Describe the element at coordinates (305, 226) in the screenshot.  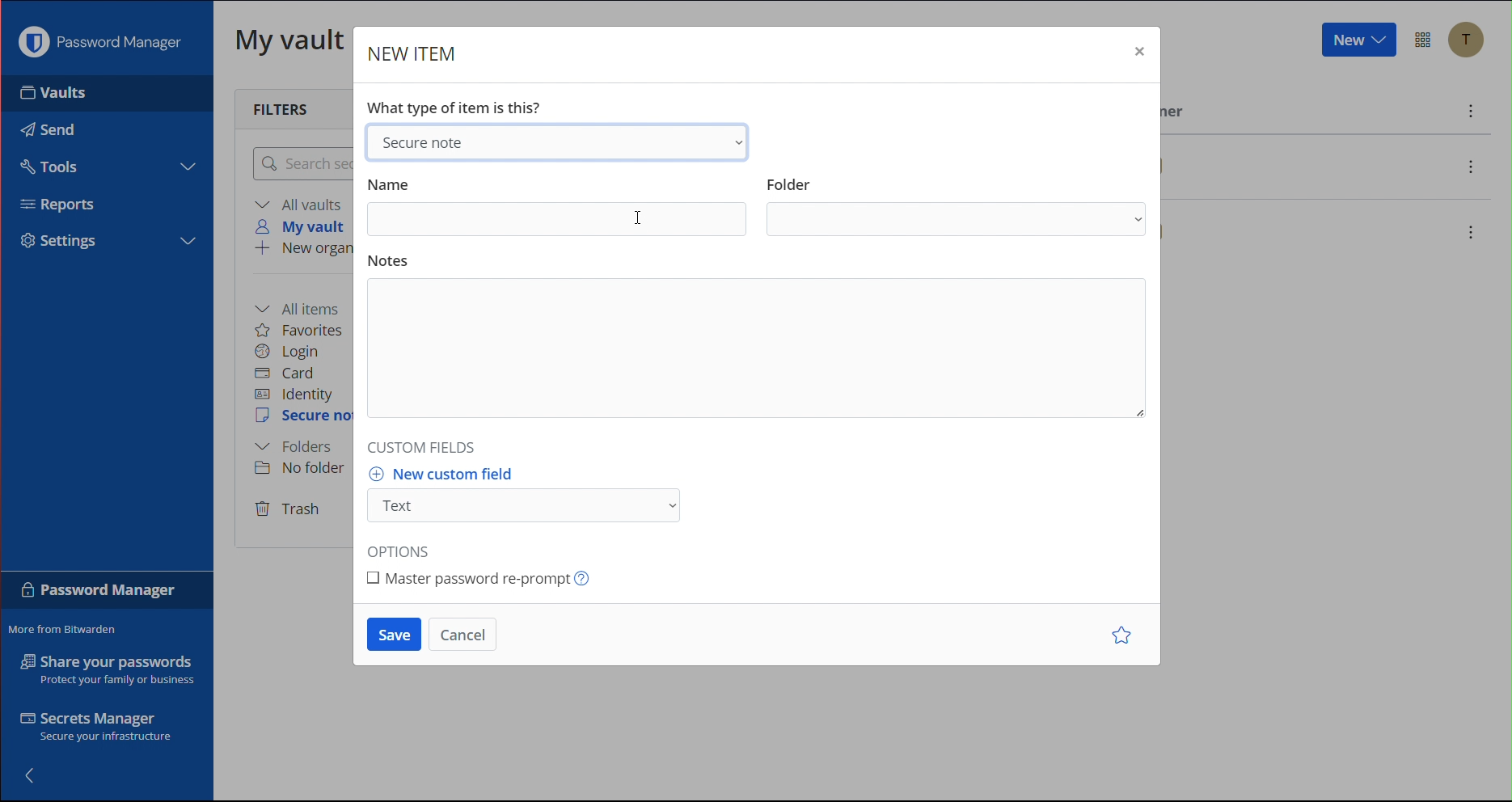
I see `My vault` at that location.